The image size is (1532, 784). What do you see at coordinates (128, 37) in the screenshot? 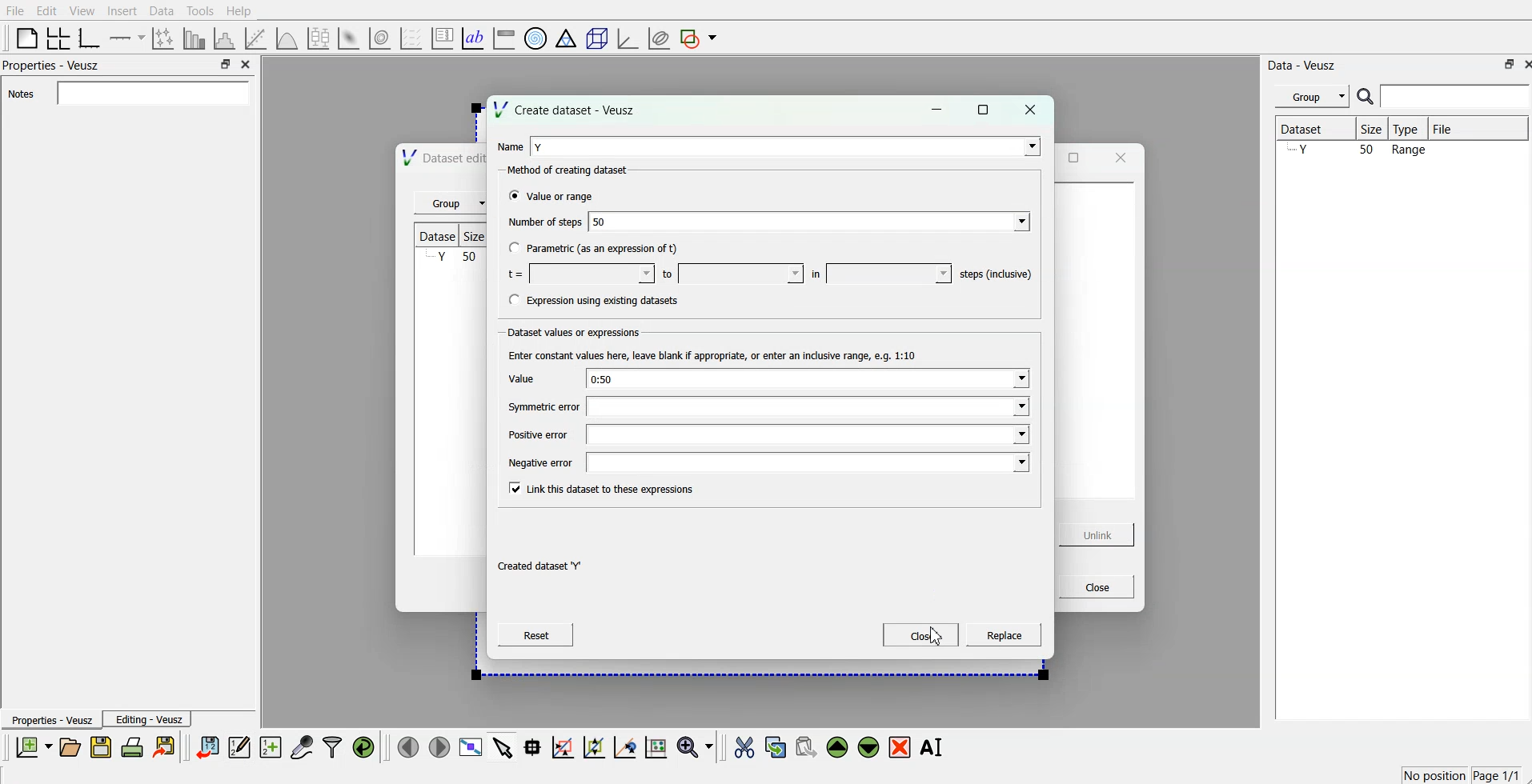
I see `Add an axis` at bounding box center [128, 37].